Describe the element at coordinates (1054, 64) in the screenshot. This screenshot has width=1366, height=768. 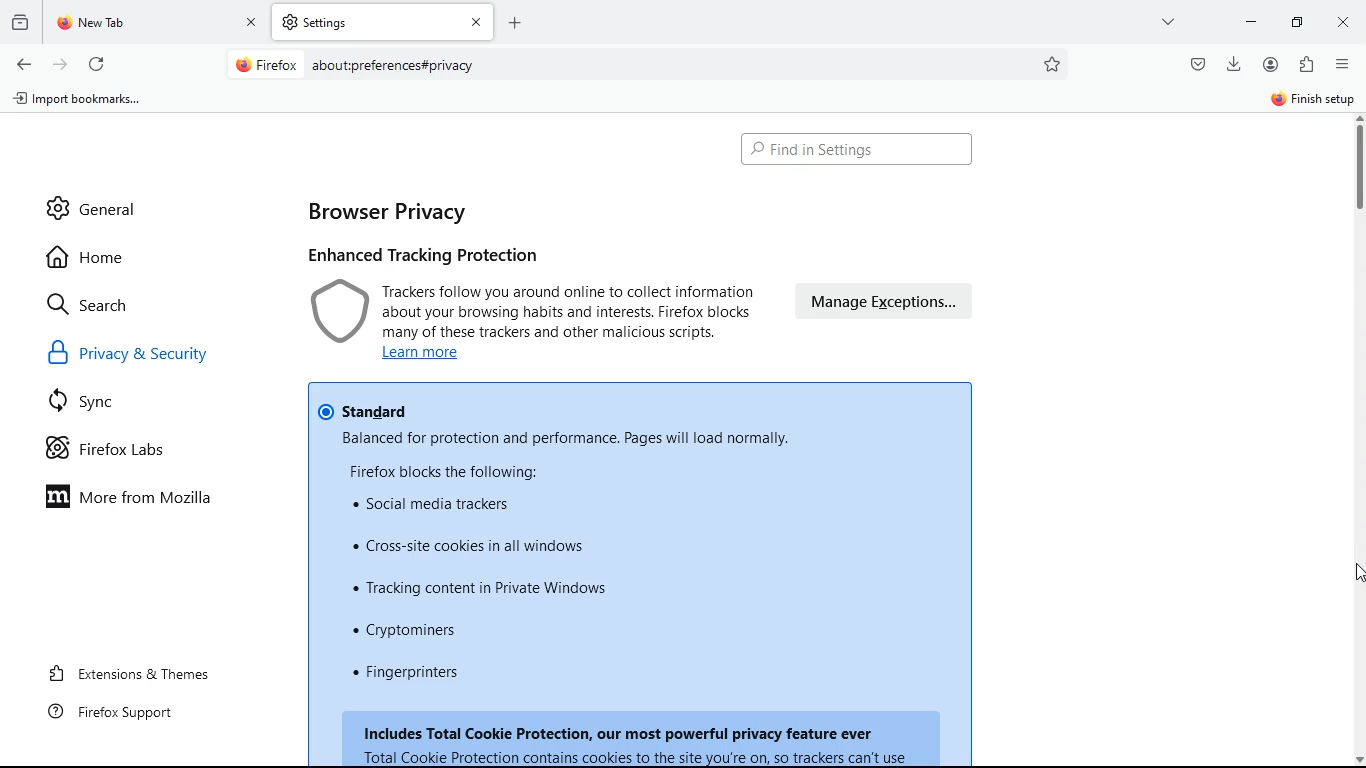
I see `preferences` at that location.